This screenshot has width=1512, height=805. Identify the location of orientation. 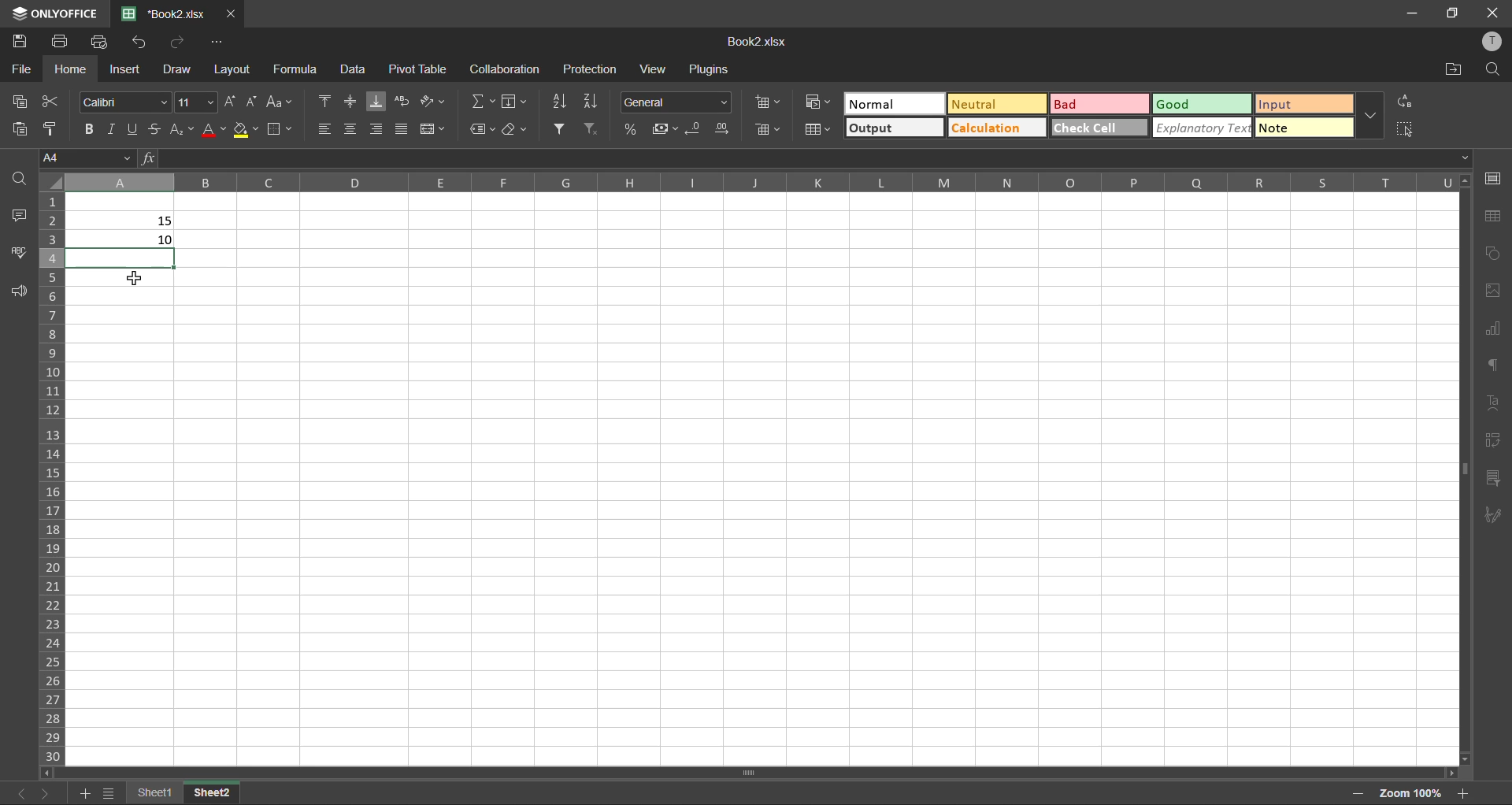
(434, 102).